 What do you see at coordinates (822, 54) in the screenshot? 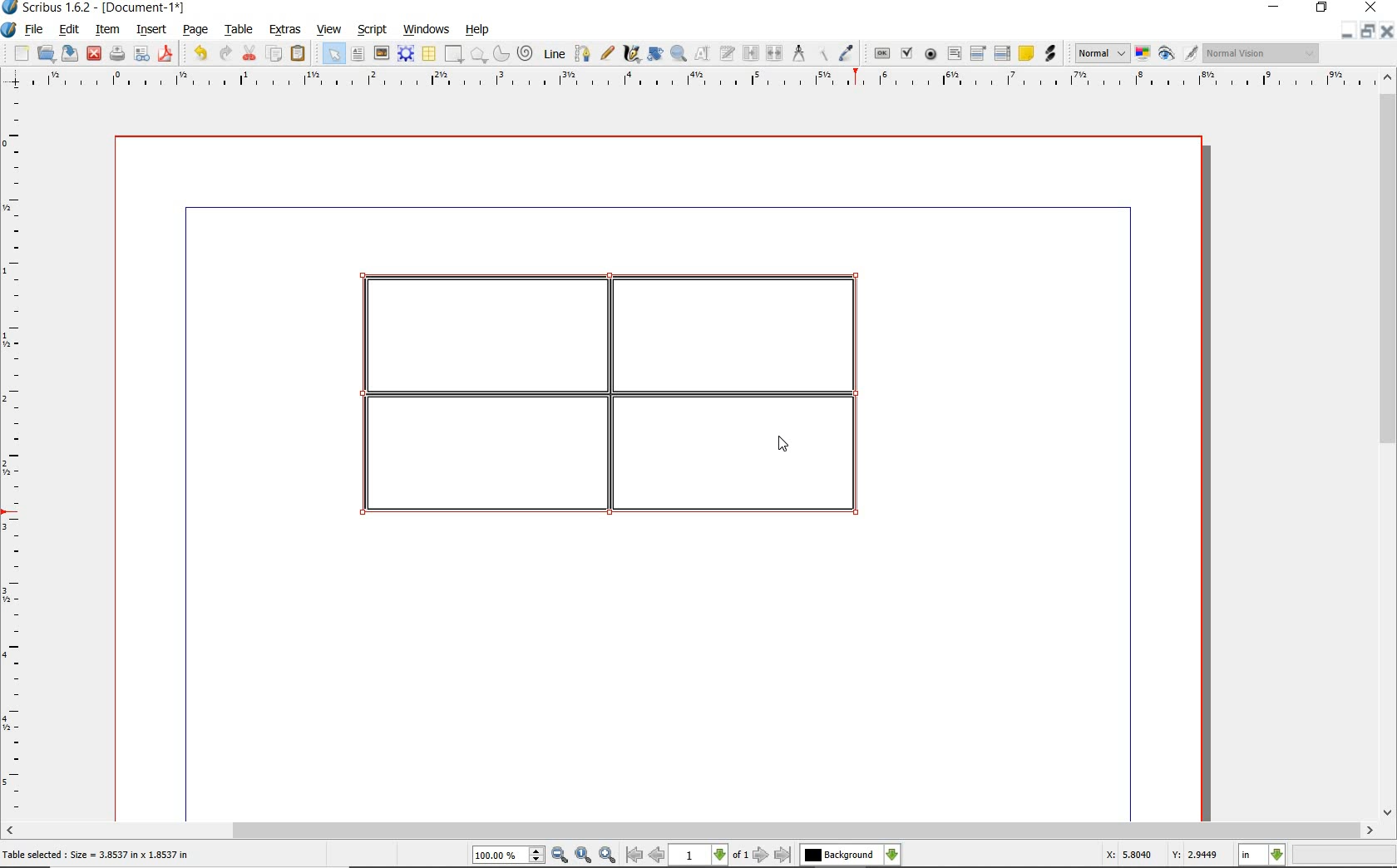
I see `copy item properties` at bounding box center [822, 54].